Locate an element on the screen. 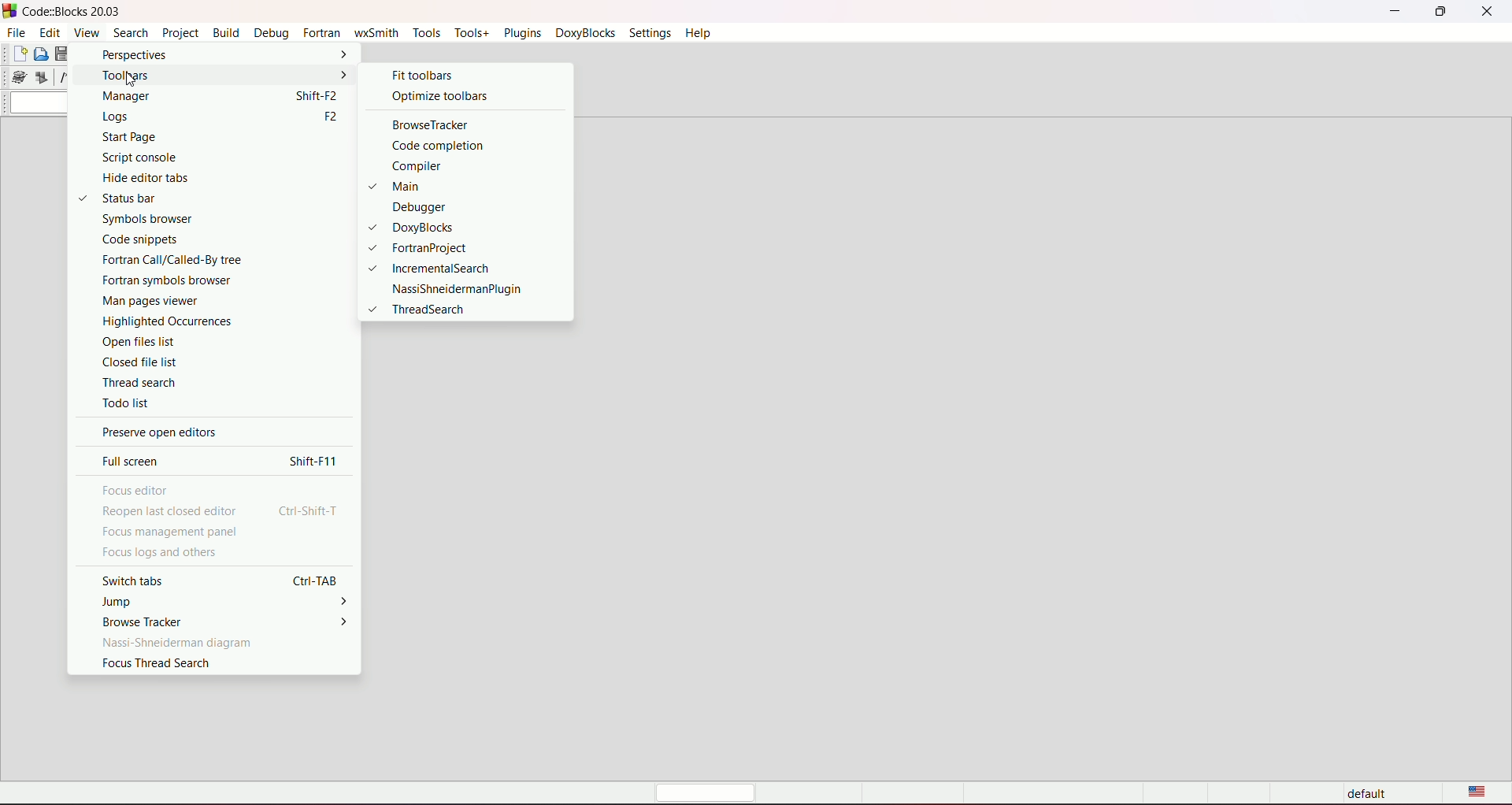  man pages viewer is located at coordinates (200, 300).